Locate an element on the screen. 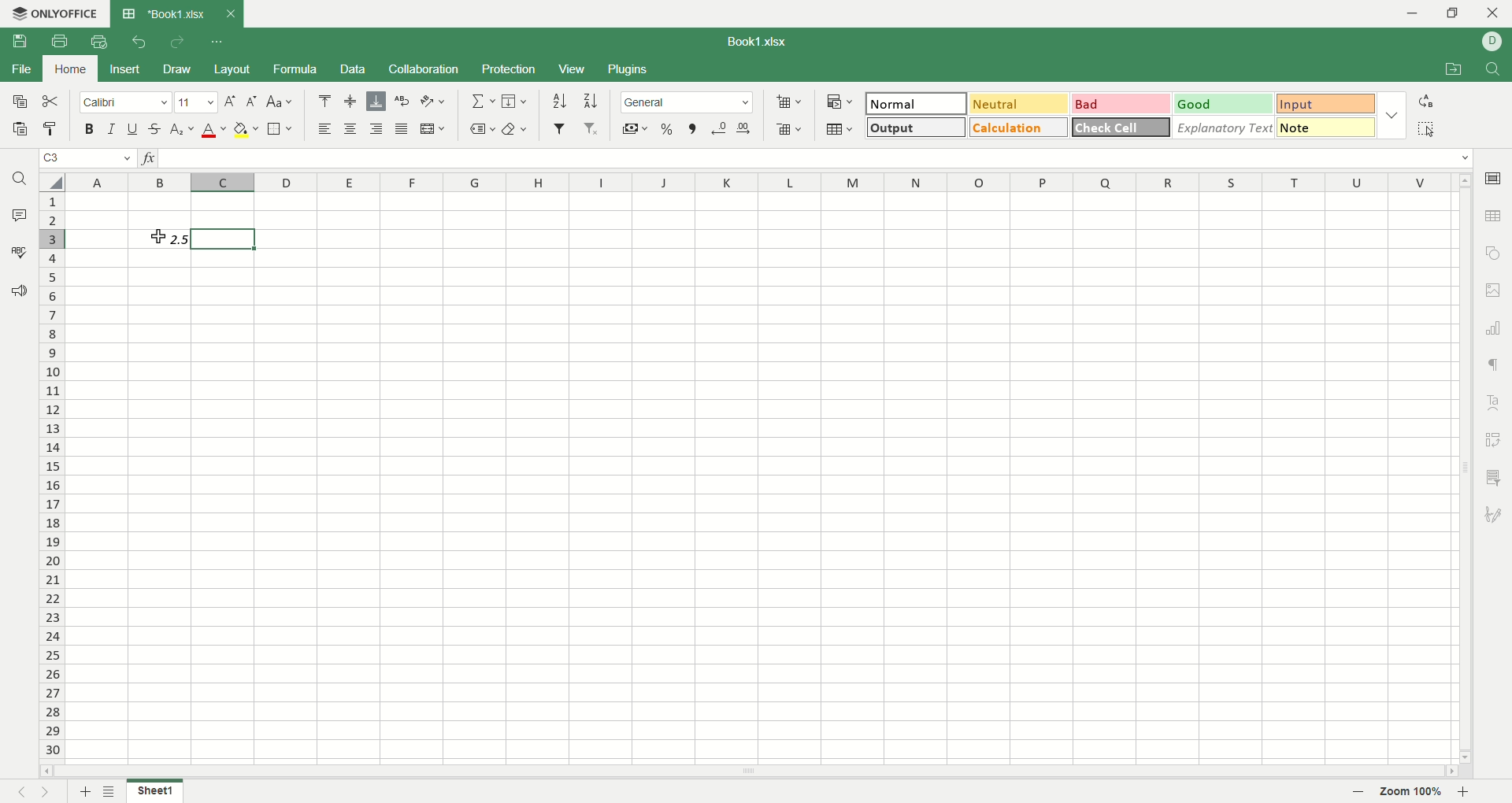 Image resolution: width=1512 pixels, height=803 pixels.  is located at coordinates (571, 70).